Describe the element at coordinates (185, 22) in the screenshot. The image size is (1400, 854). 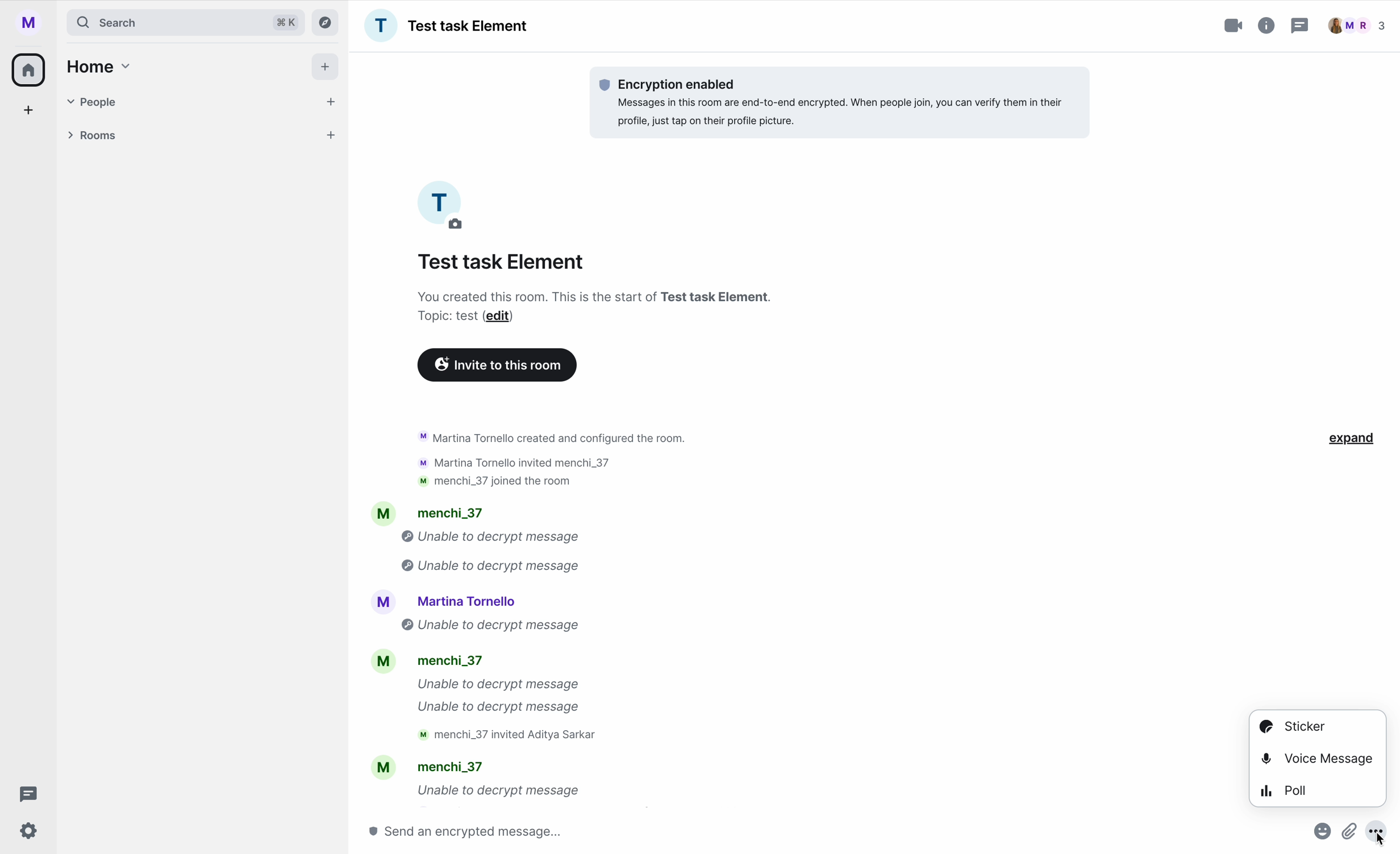
I see `search tab` at that location.